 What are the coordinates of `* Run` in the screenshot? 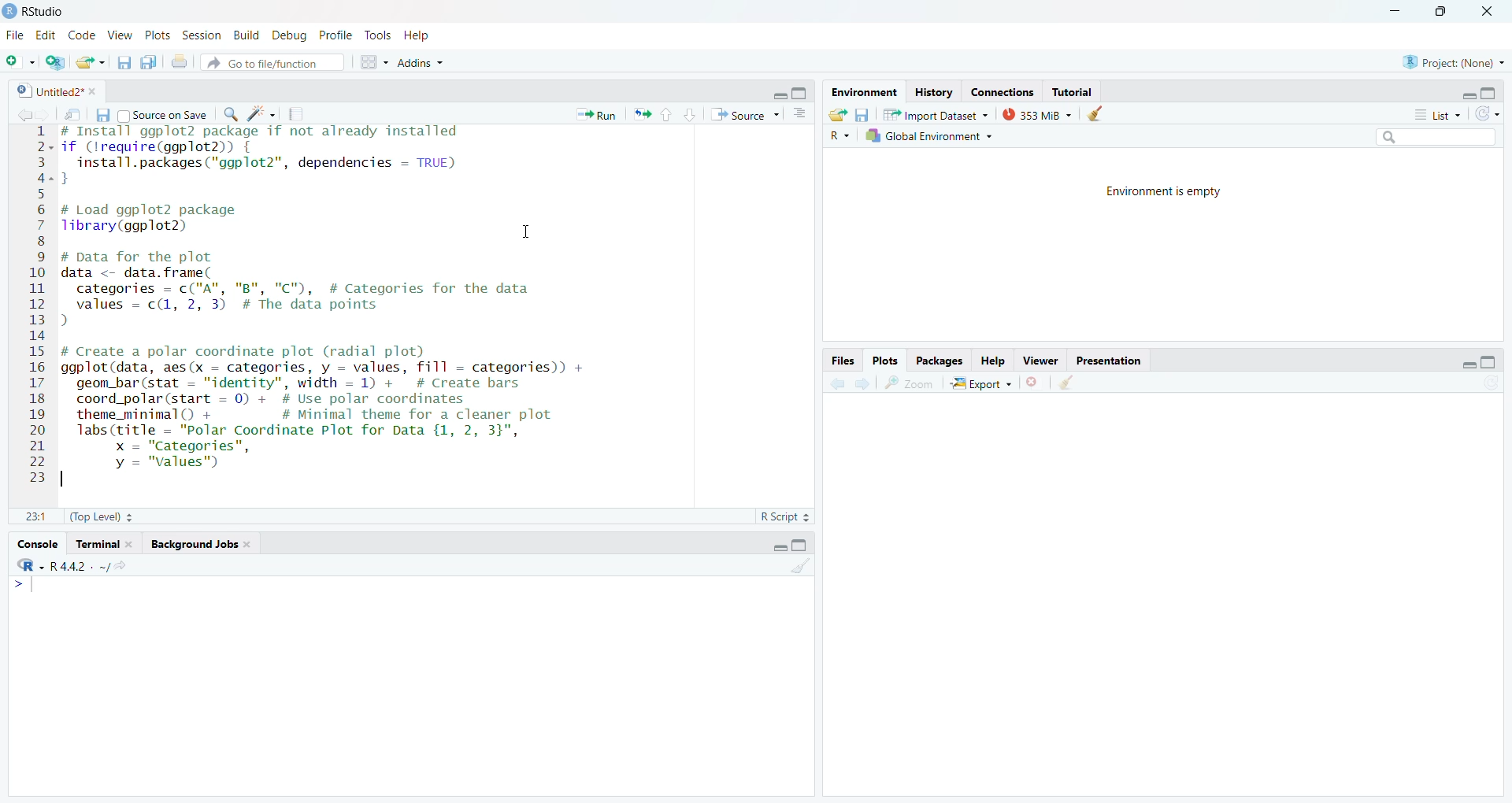 It's located at (590, 117).